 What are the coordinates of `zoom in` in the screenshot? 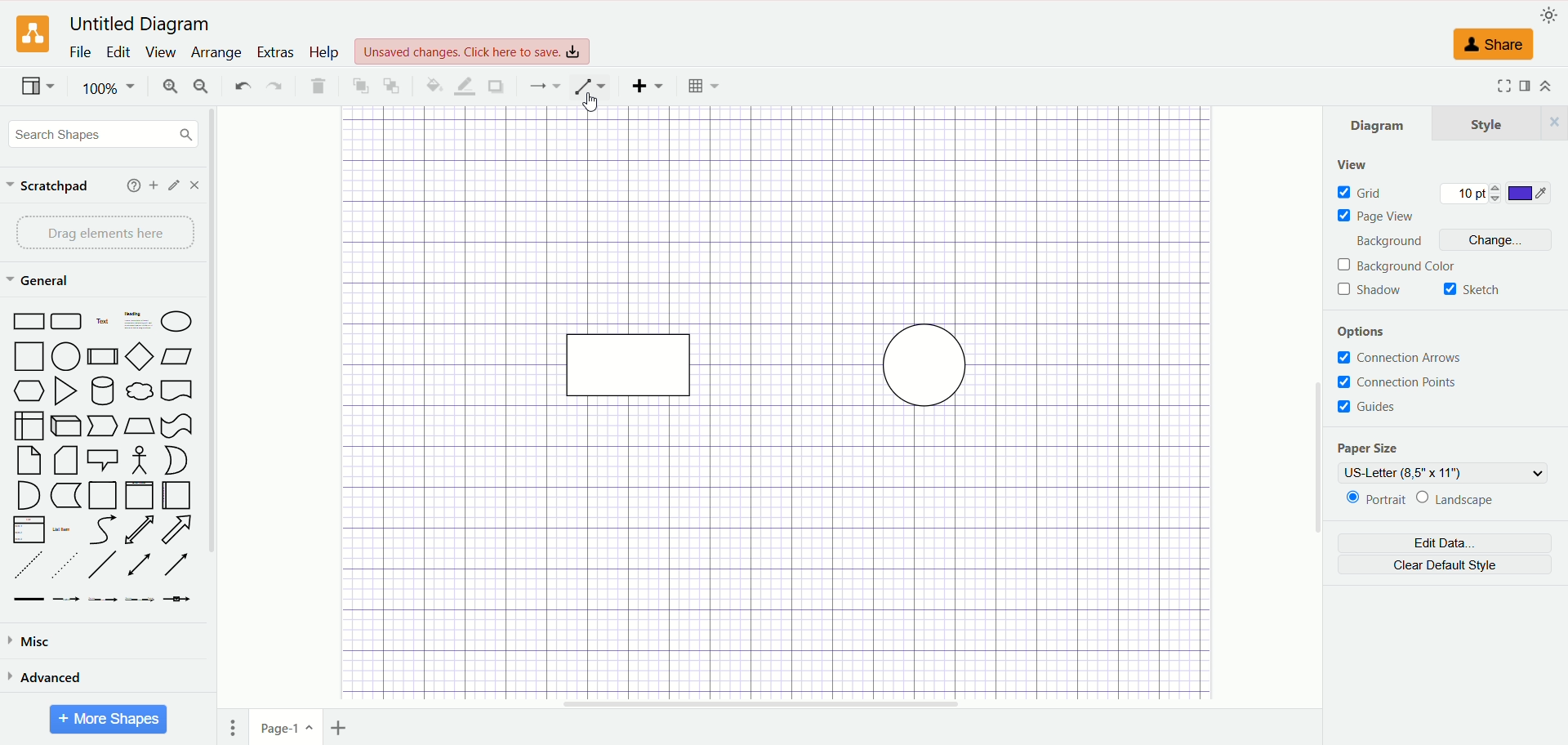 It's located at (170, 87).